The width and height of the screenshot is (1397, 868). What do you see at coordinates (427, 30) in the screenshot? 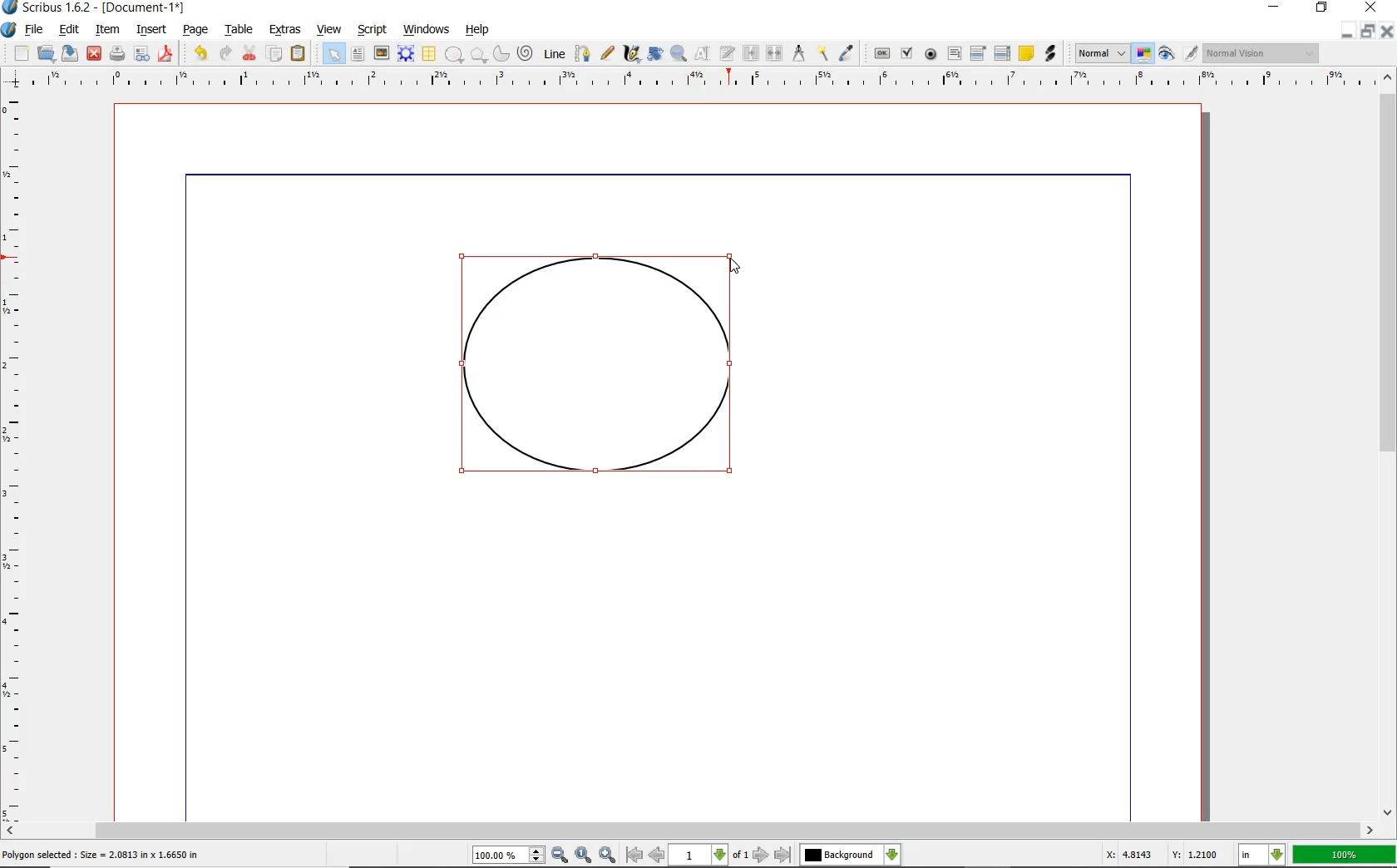
I see `WINDOWS` at bounding box center [427, 30].